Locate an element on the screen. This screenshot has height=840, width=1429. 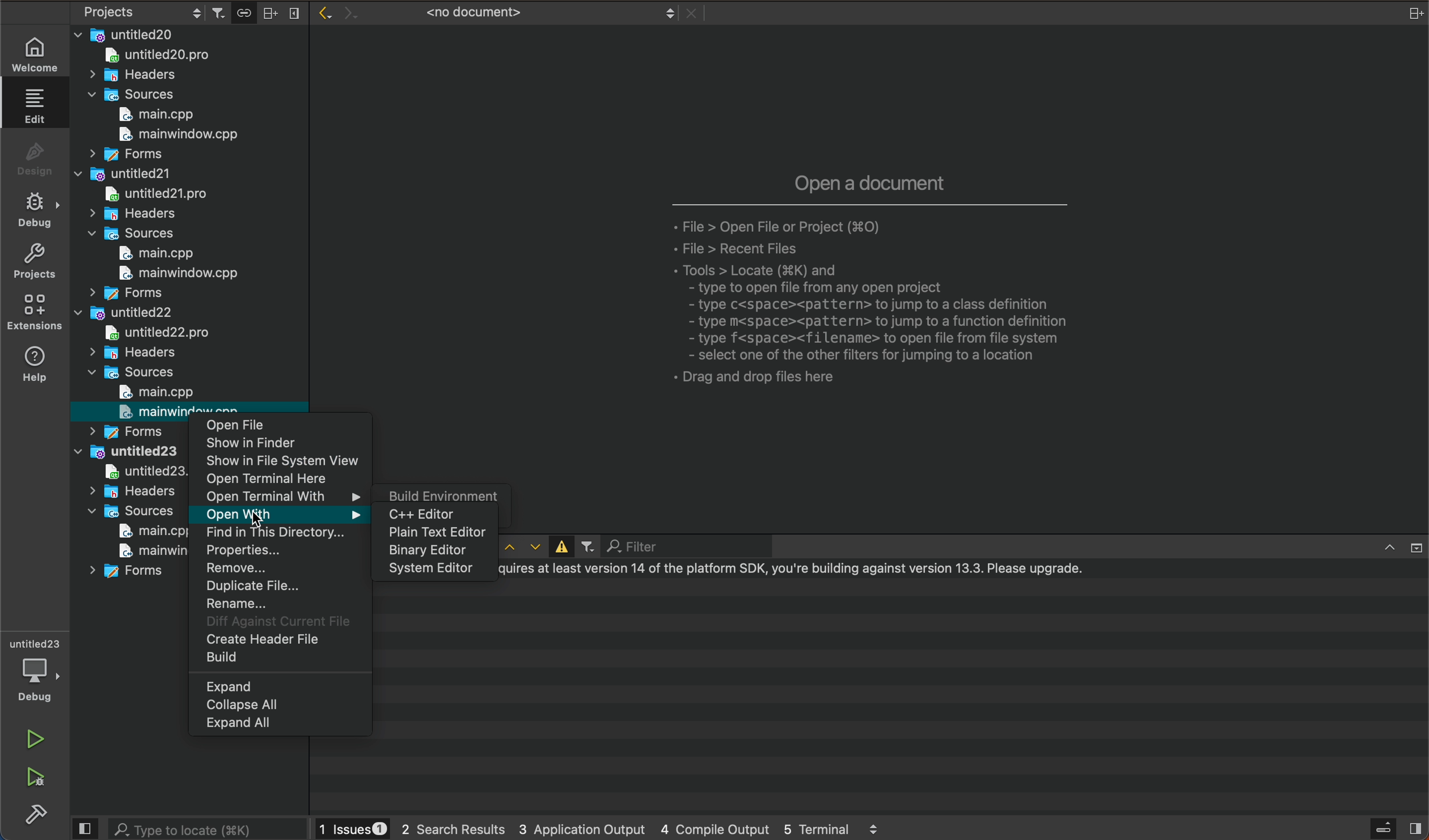
headers is located at coordinates (130, 353).